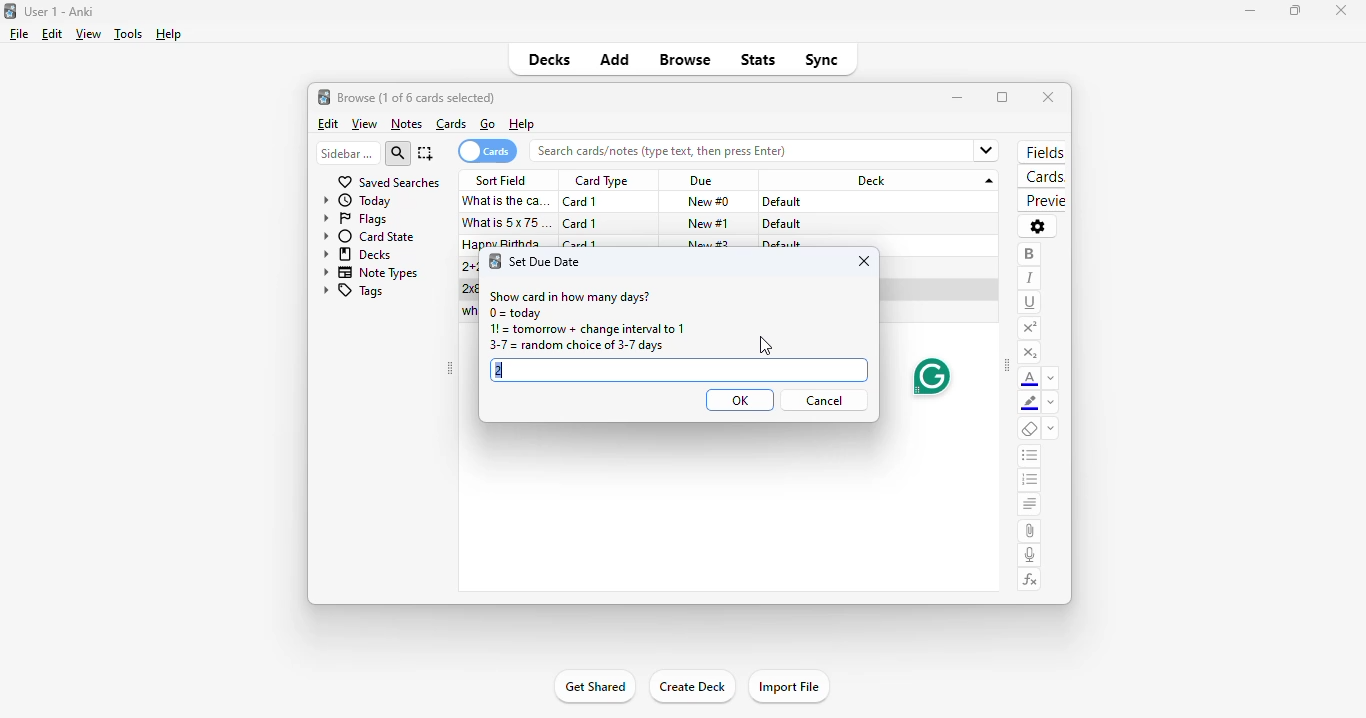 The height and width of the screenshot is (718, 1366). What do you see at coordinates (1340, 9) in the screenshot?
I see `close` at bounding box center [1340, 9].